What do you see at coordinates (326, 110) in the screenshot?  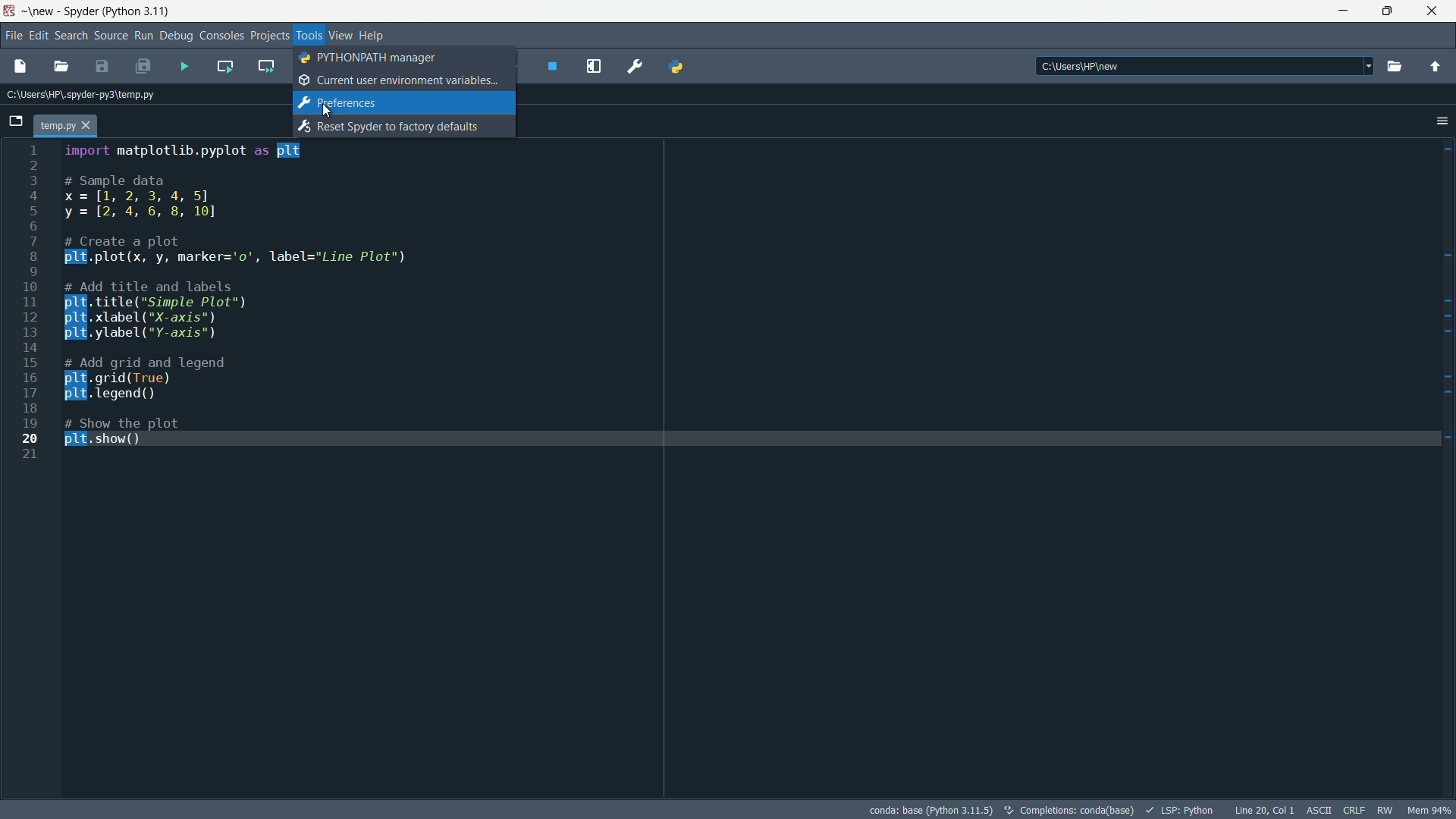 I see `cursor` at bounding box center [326, 110].